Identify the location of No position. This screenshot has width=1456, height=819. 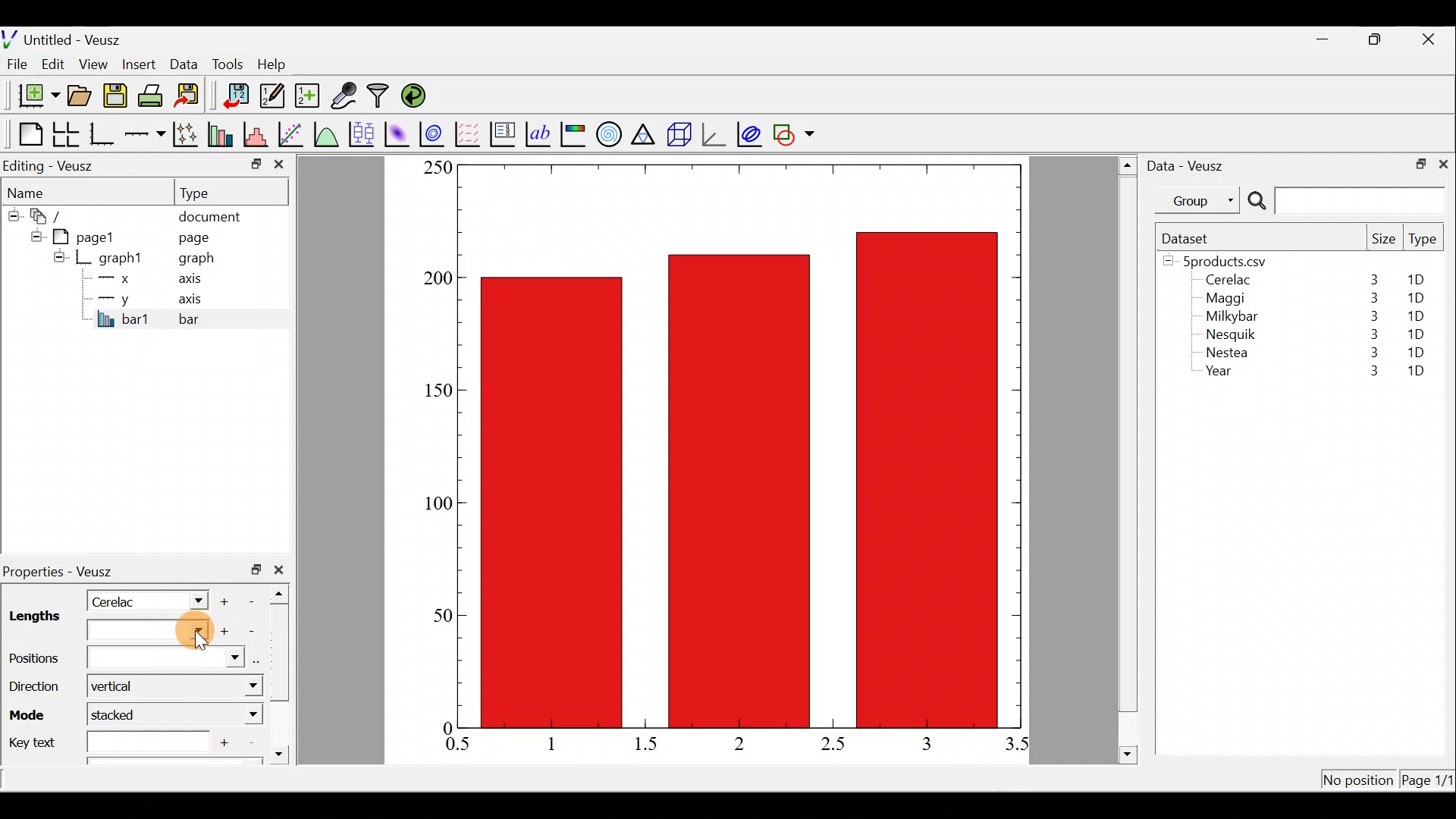
(1359, 781).